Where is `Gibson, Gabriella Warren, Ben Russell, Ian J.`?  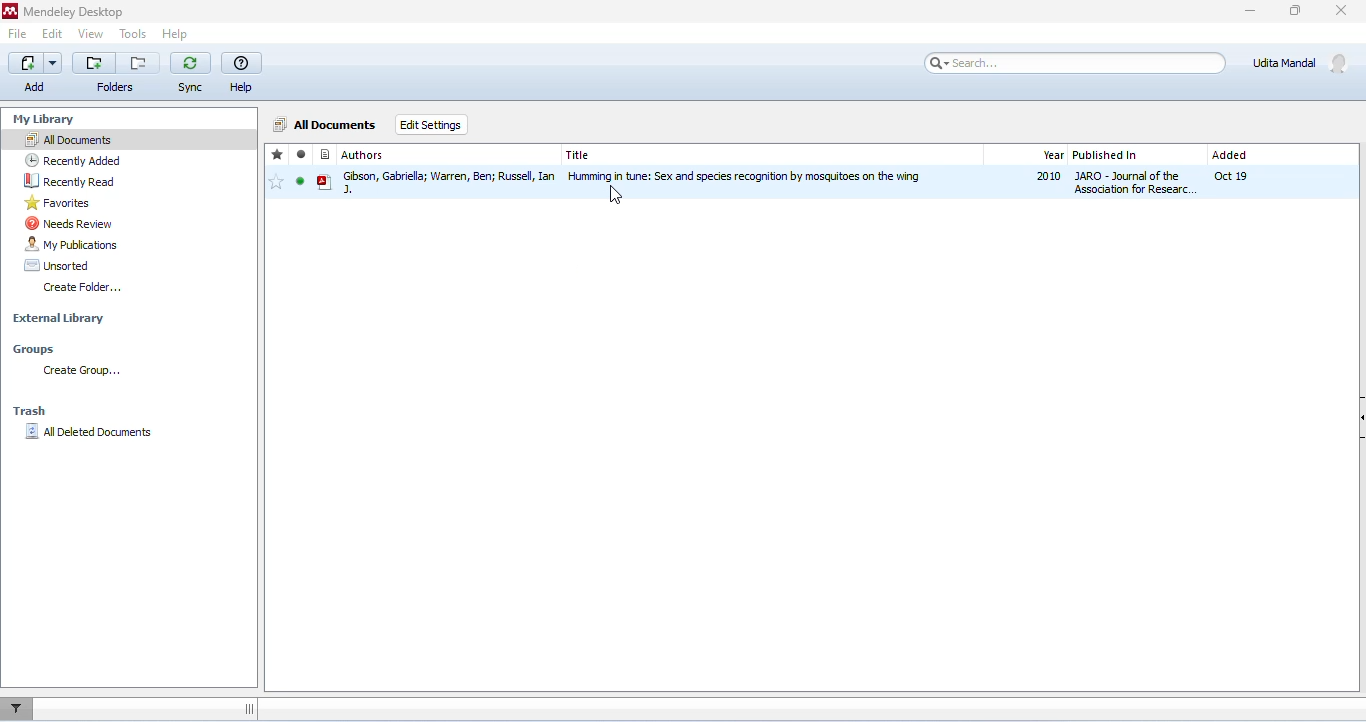 Gibson, Gabriella Warren, Ben Russell, Ian J. is located at coordinates (440, 182).